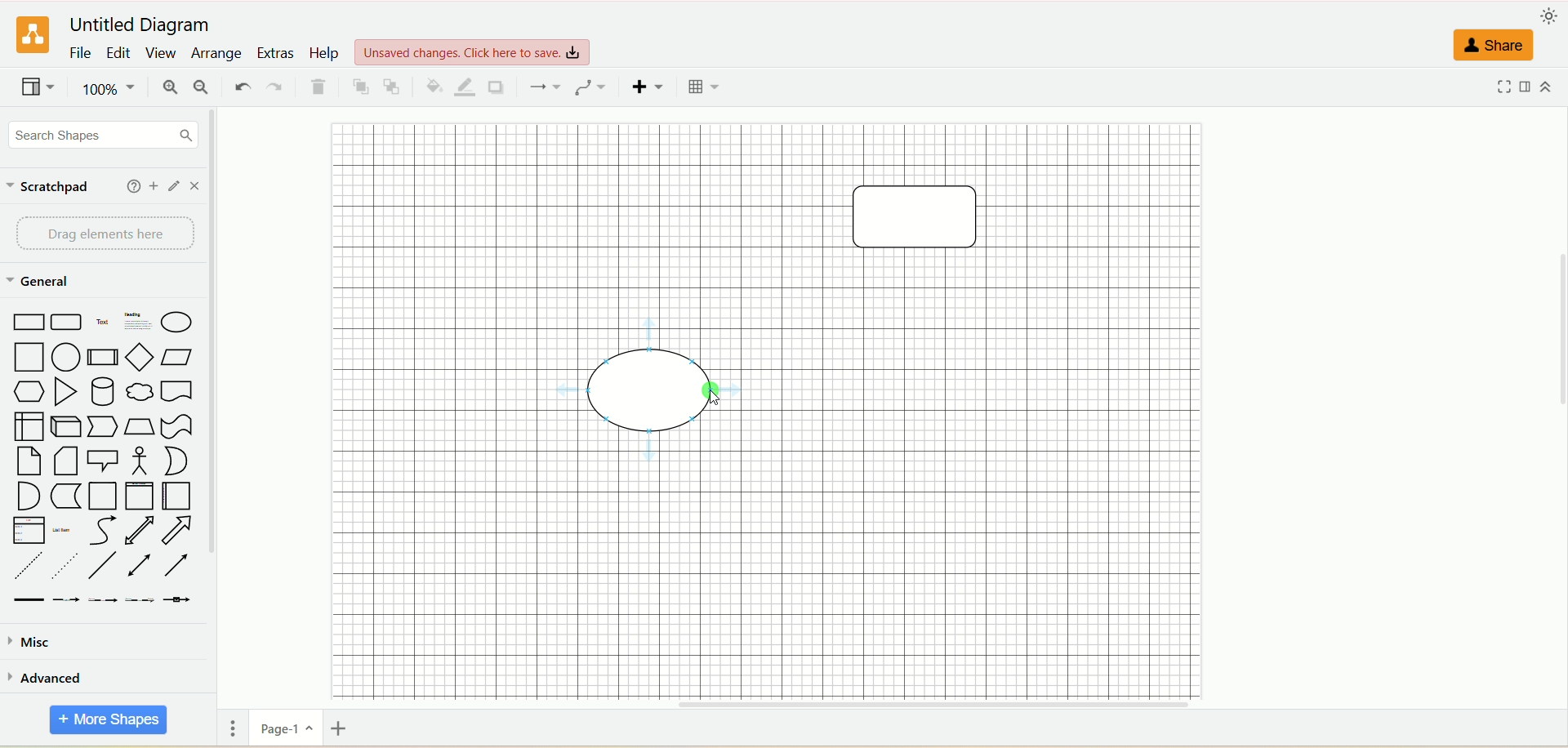  Describe the element at coordinates (712, 395) in the screenshot. I see `cursor` at that location.